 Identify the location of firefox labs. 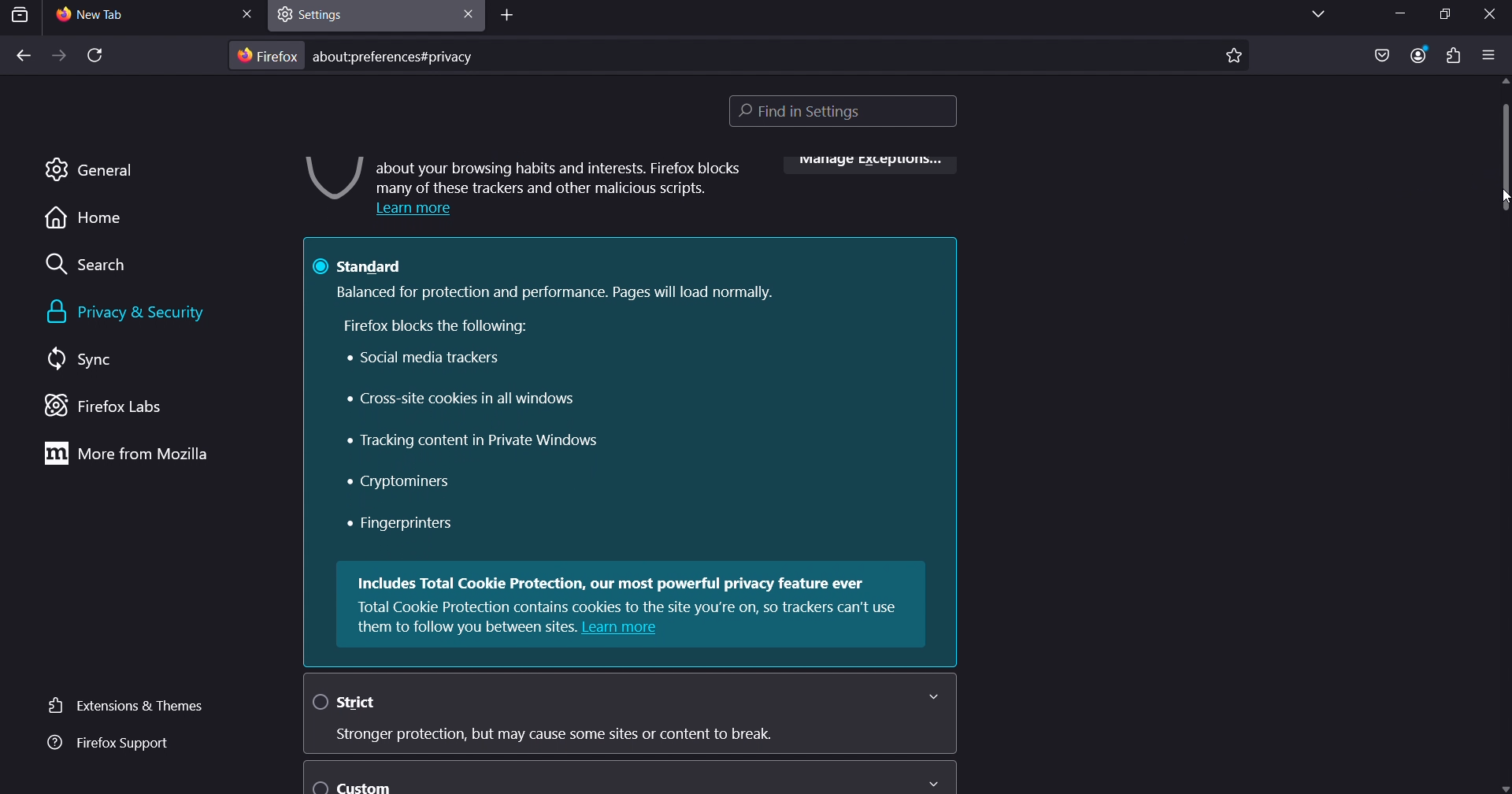
(121, 407).